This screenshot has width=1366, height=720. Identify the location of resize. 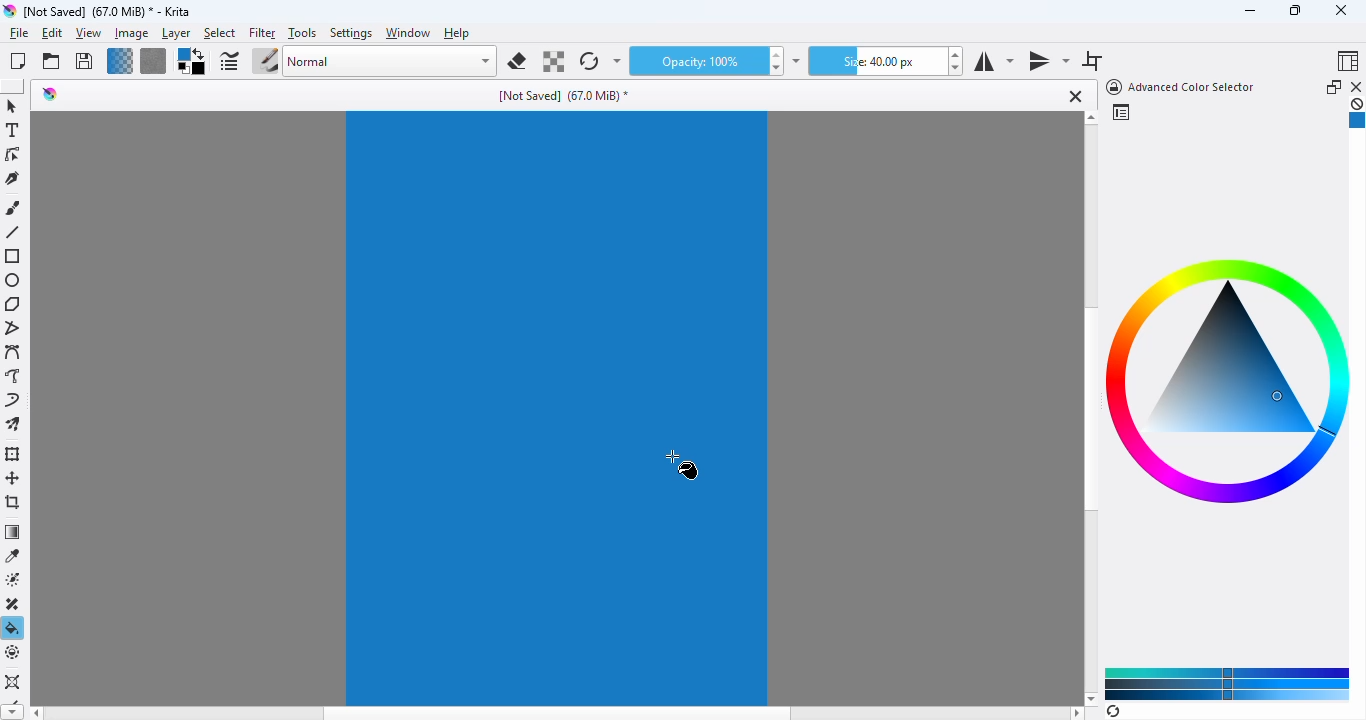
(1294, 9).